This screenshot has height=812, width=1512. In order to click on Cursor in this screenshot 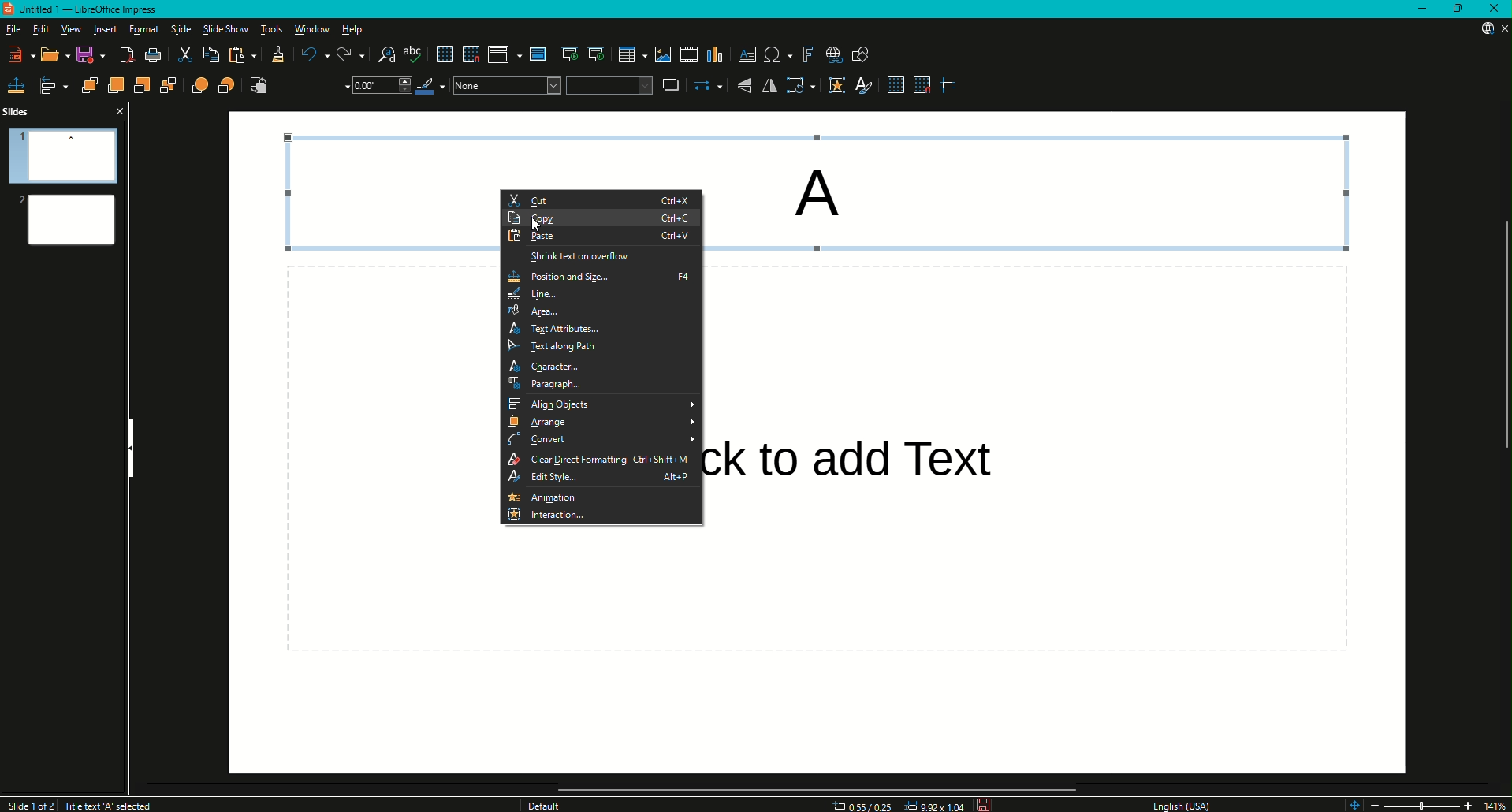, I will do `click(537, 225)`.